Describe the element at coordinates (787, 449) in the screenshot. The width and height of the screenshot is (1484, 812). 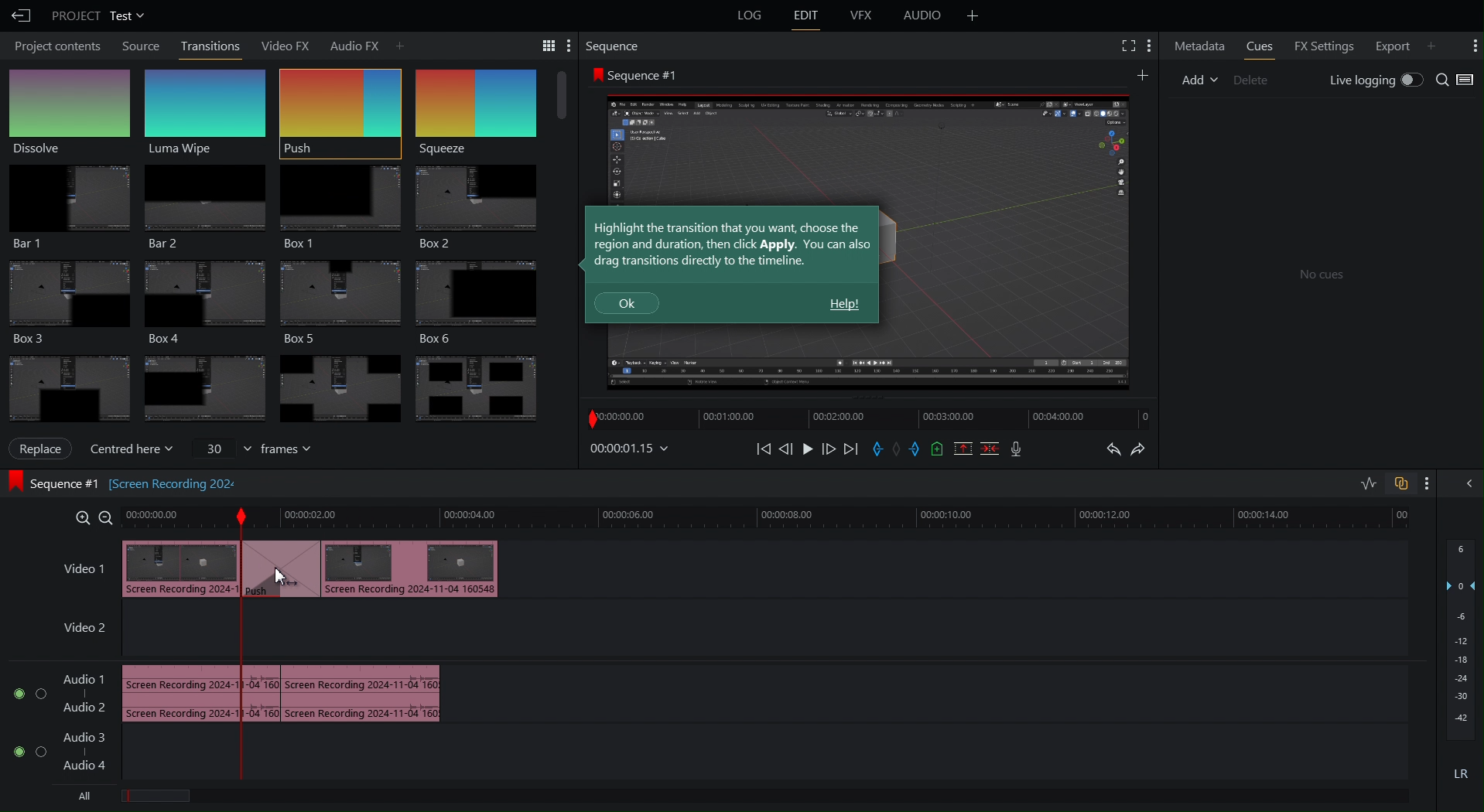
I see `Move Back` at that location.